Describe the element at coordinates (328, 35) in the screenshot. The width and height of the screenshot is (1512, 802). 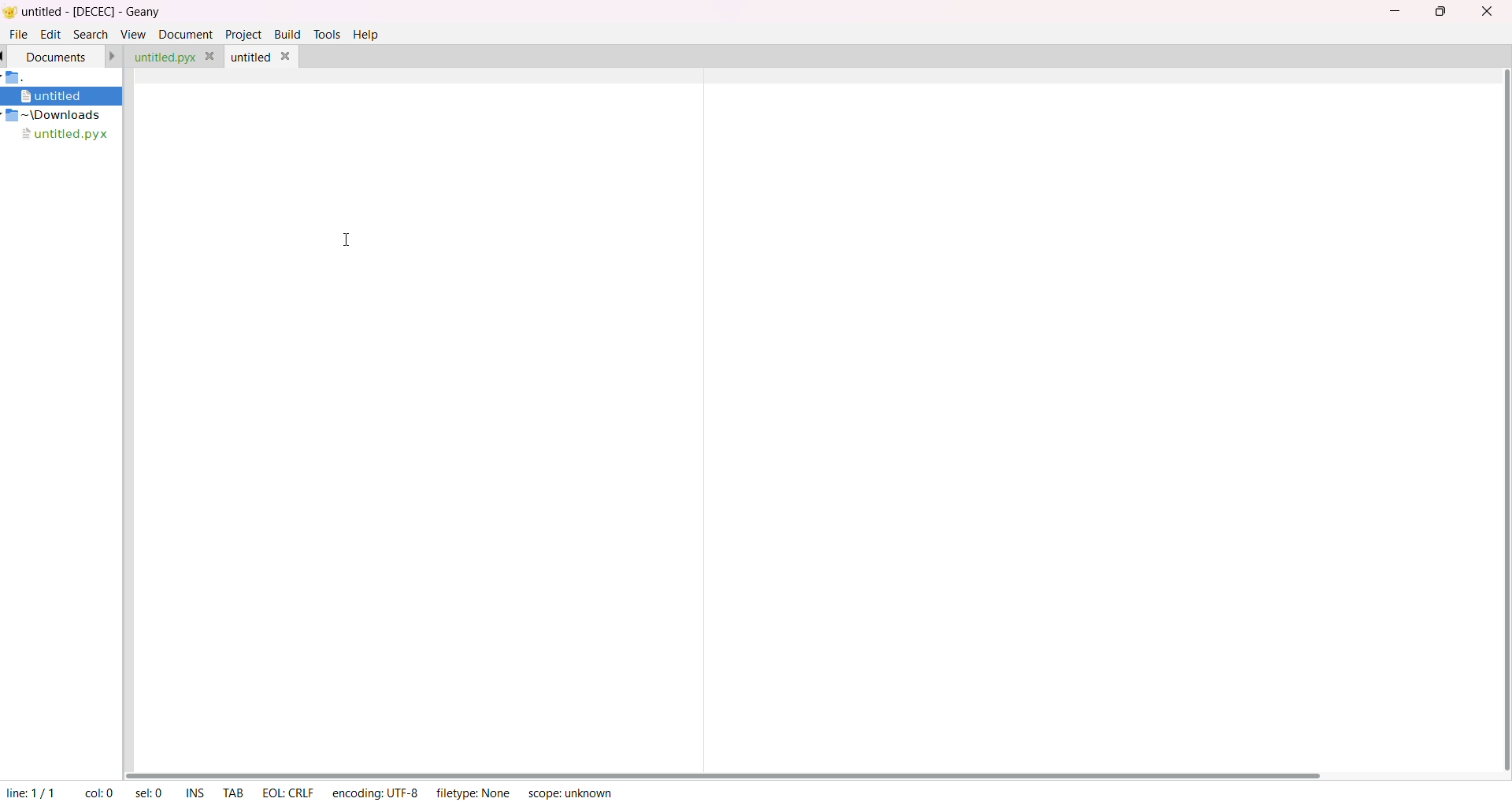
I see `tools` at that location.